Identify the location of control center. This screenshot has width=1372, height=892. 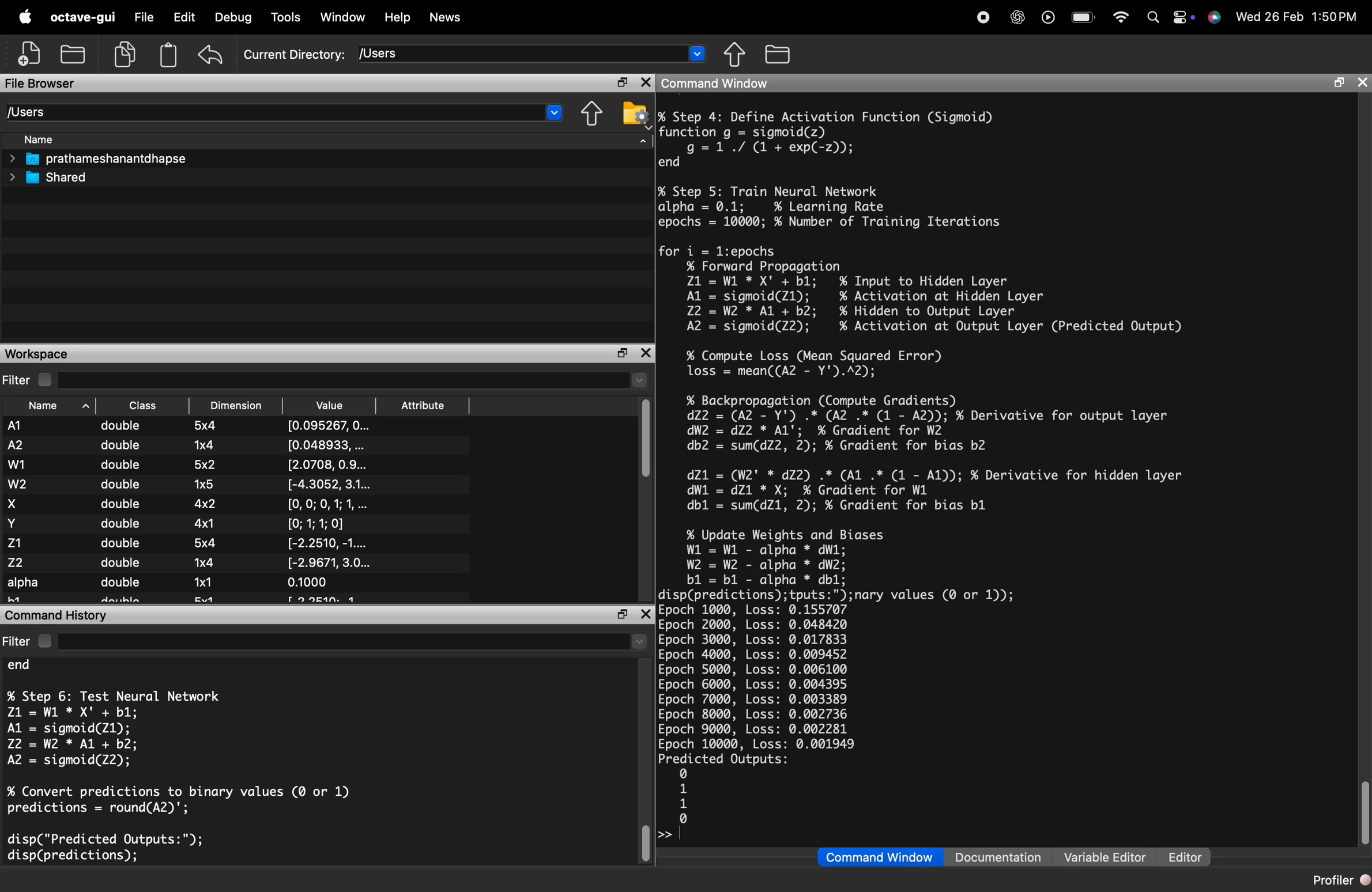
(1178, 16).